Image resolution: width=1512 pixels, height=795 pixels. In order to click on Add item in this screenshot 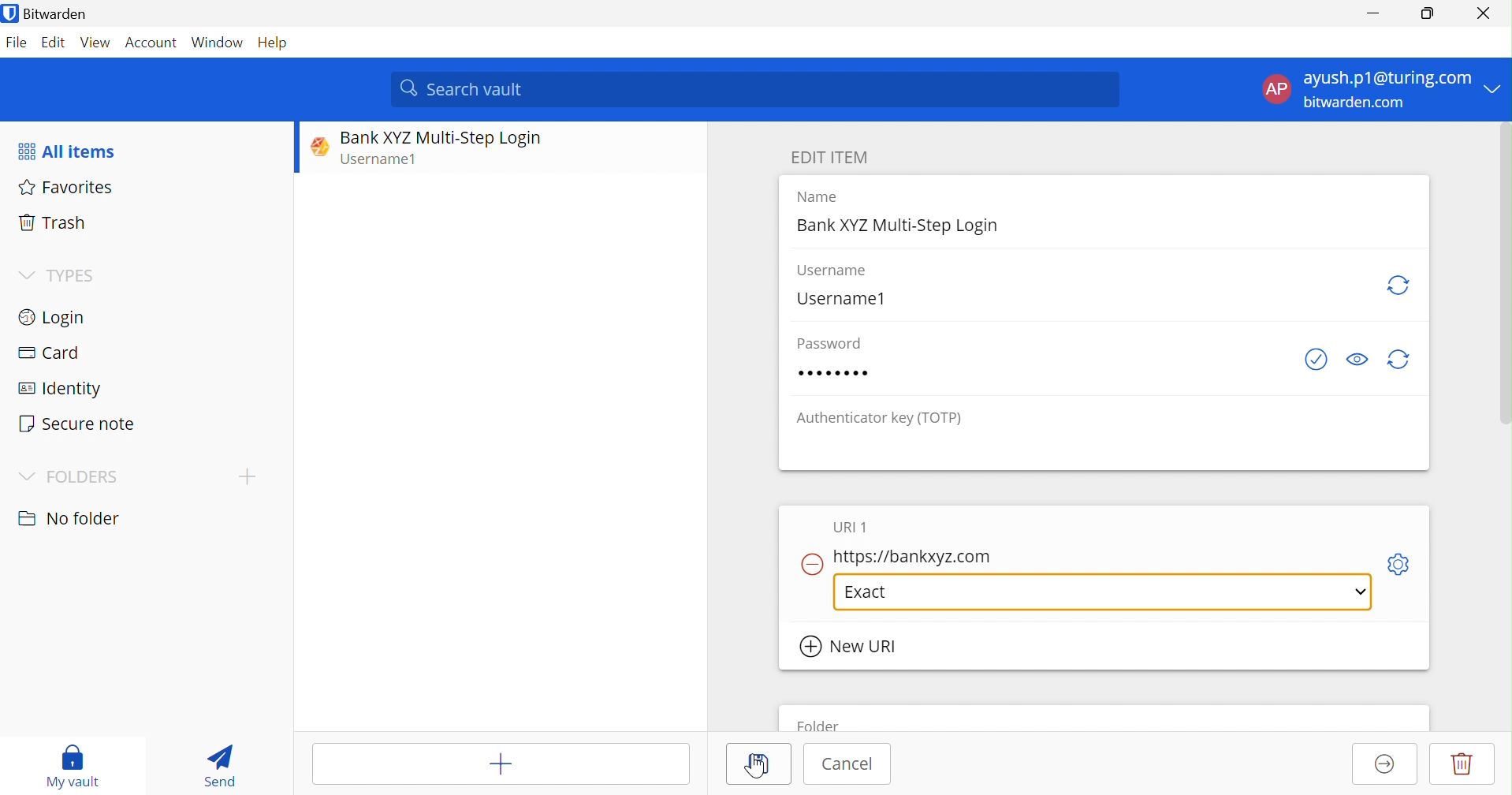, I will do `click(501, 764)`.